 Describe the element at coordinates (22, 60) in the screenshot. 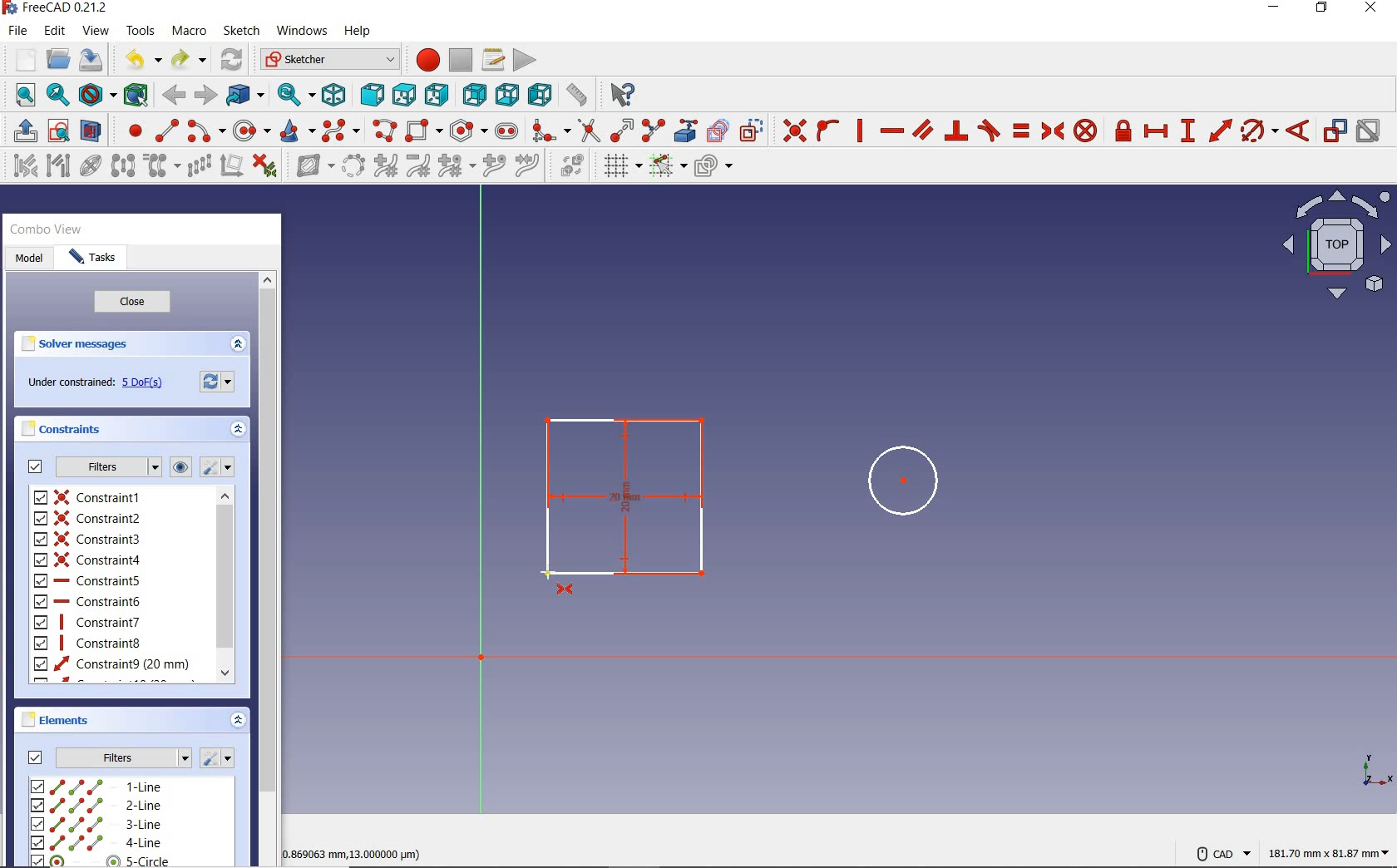

I see `new` at that location.